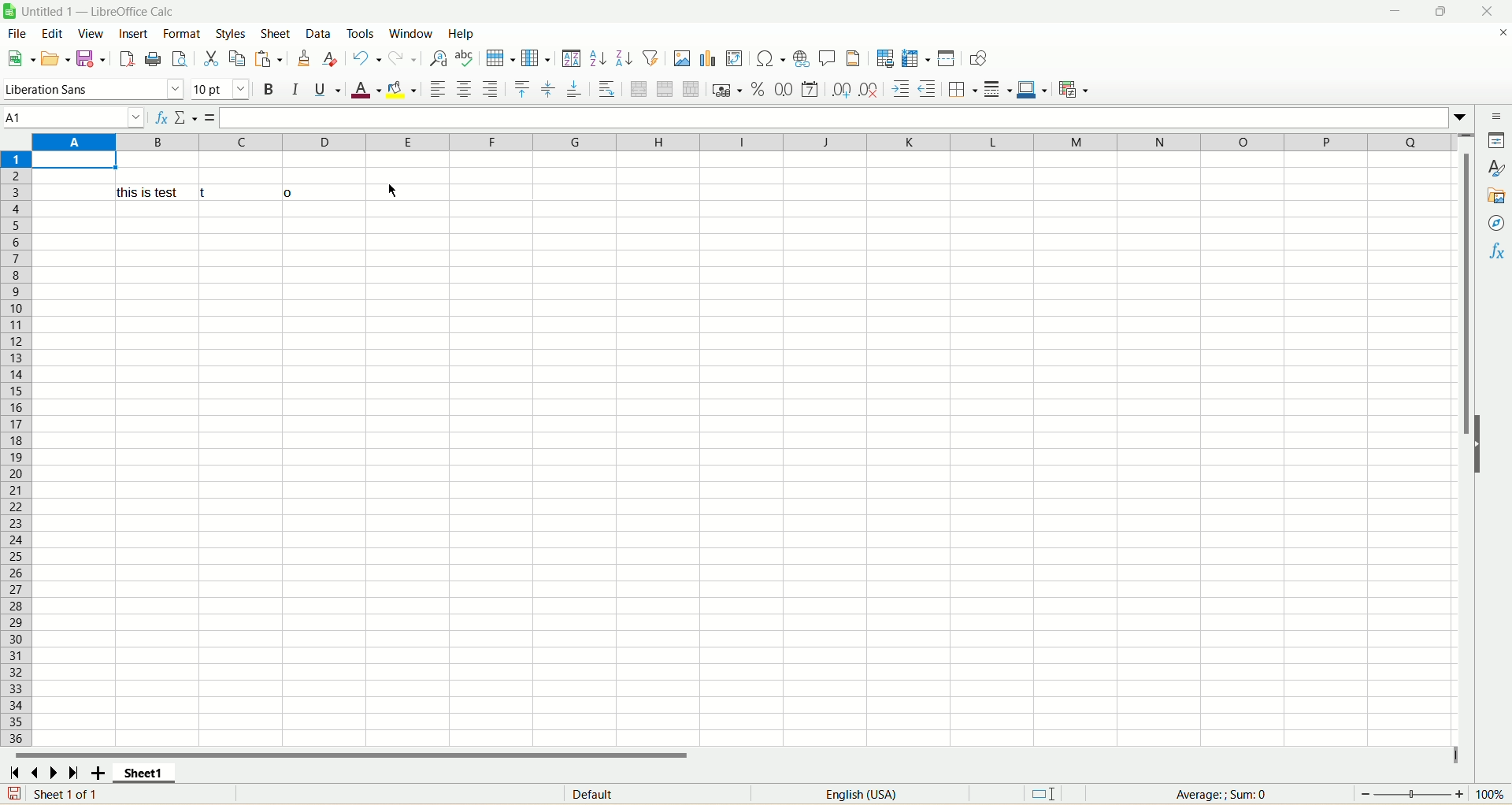 This screenshot has height=805, width=1512. Describe the element at coordinates (1462, 120) in the screenshot. I see `expand formulabar` at that location.